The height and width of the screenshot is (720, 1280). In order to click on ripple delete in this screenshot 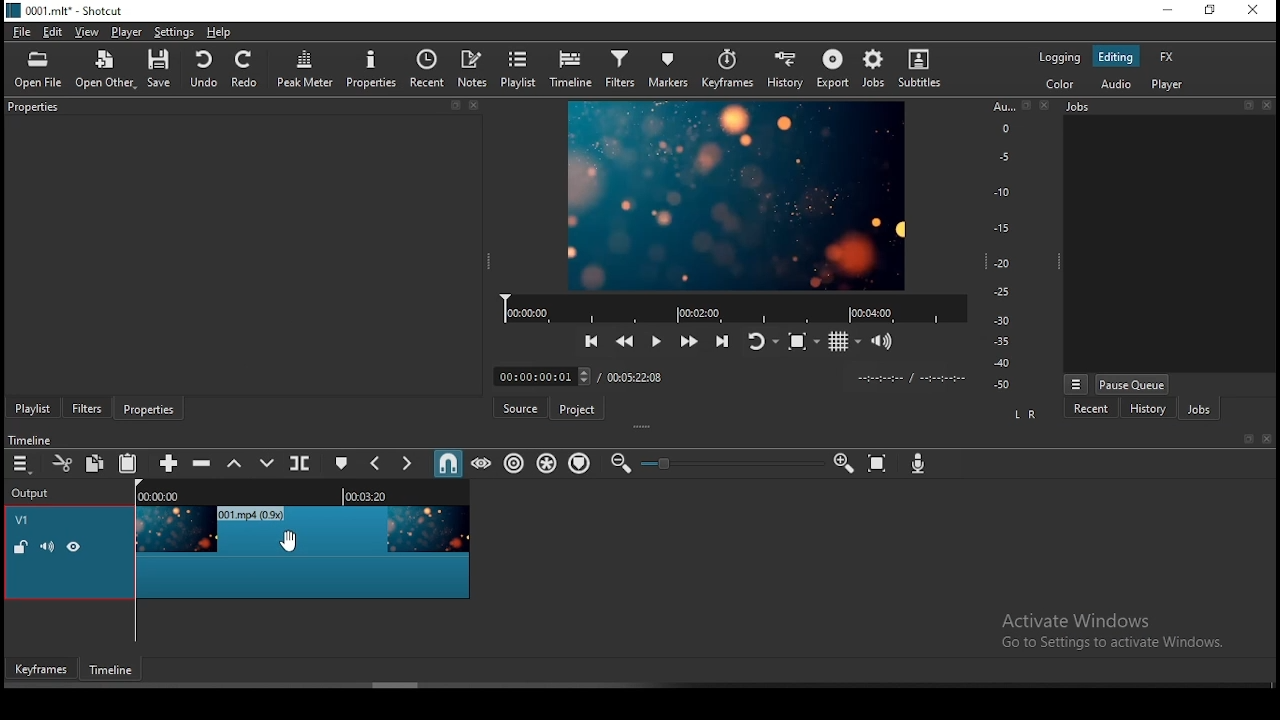, I will do `click(207, 466)`.